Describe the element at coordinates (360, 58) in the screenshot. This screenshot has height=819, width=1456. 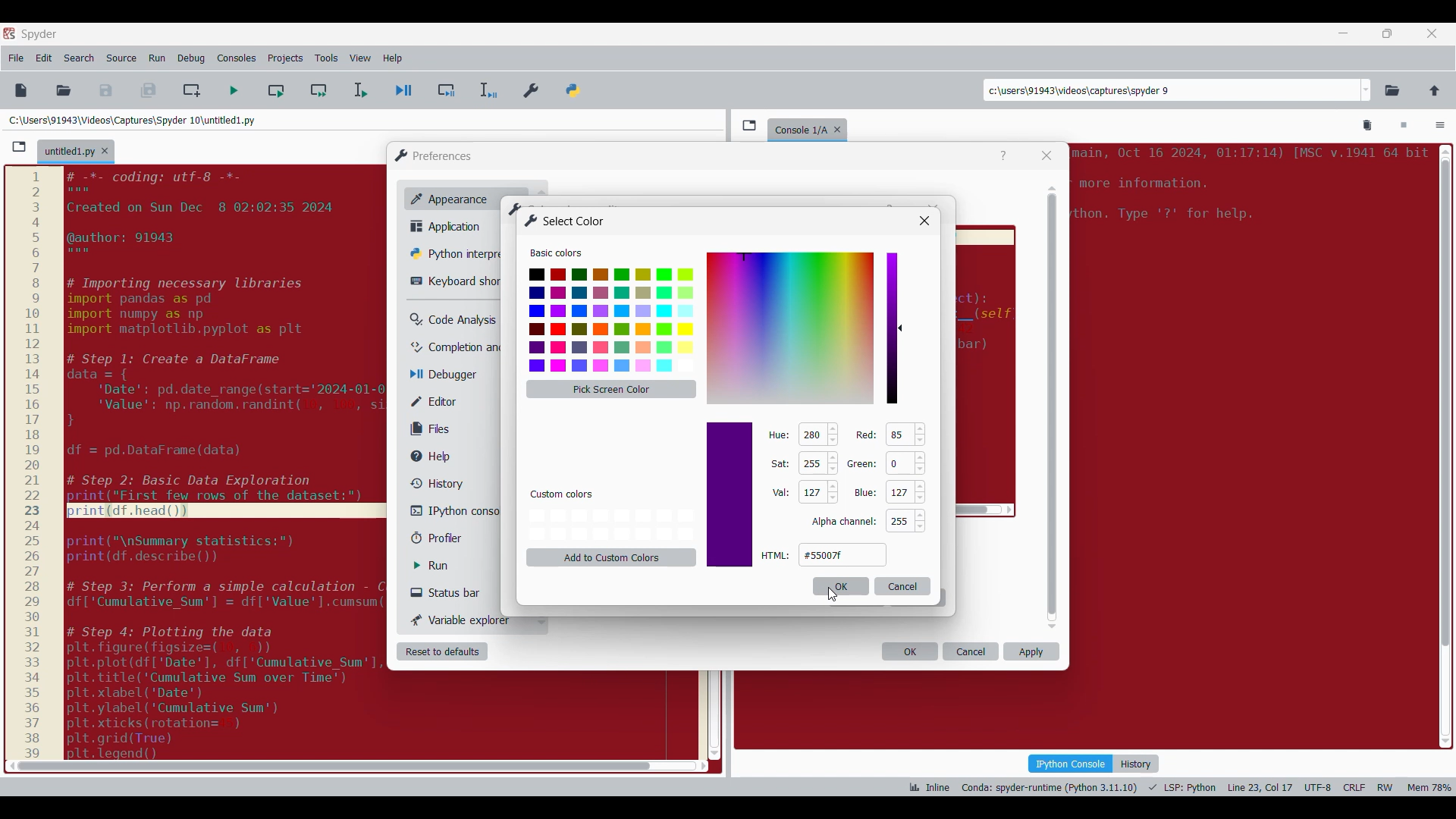
I see `View menu` at that location.